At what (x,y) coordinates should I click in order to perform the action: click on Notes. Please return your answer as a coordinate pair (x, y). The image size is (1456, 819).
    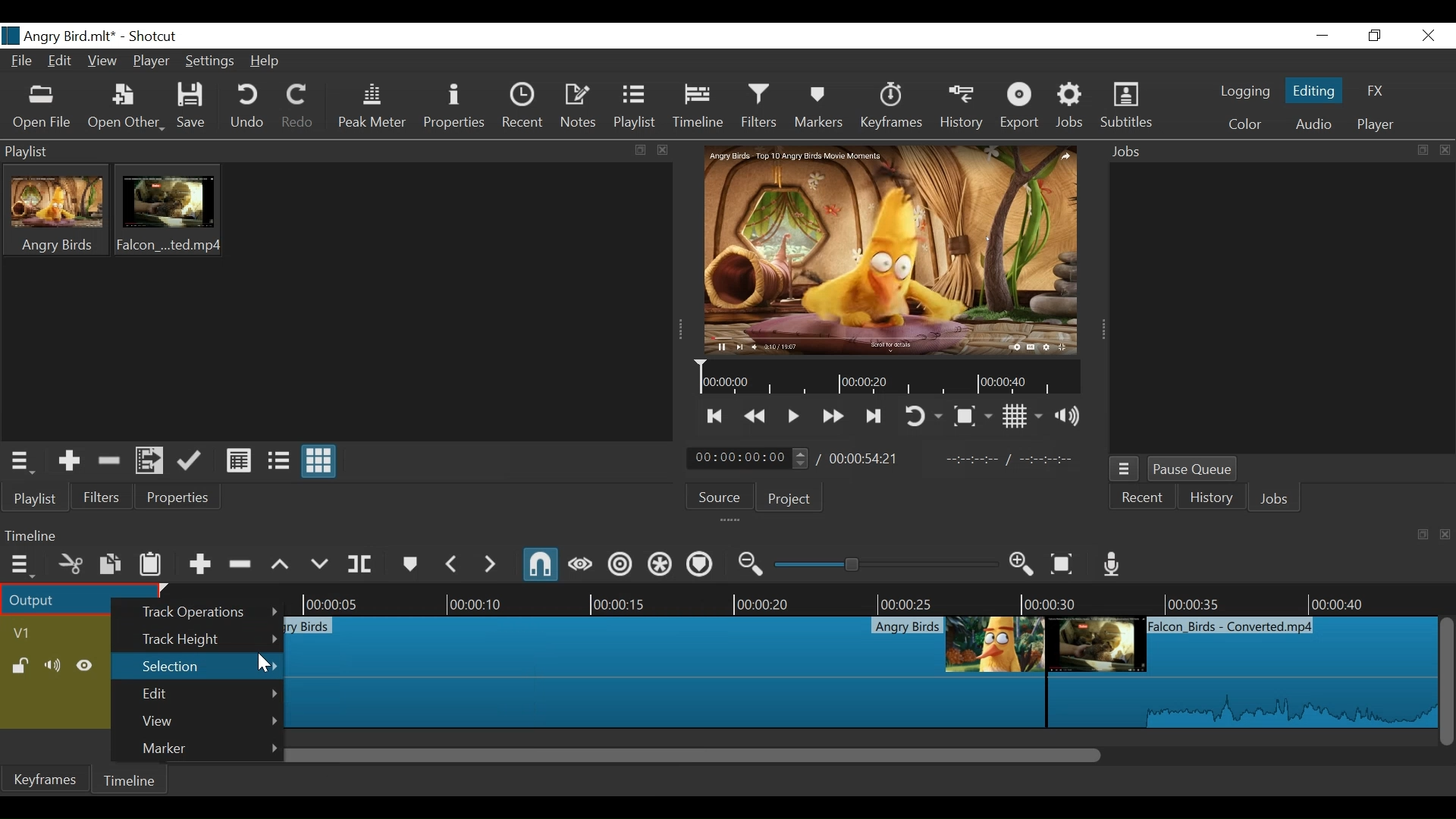
    Looking at the image, I should click on (580, 106).